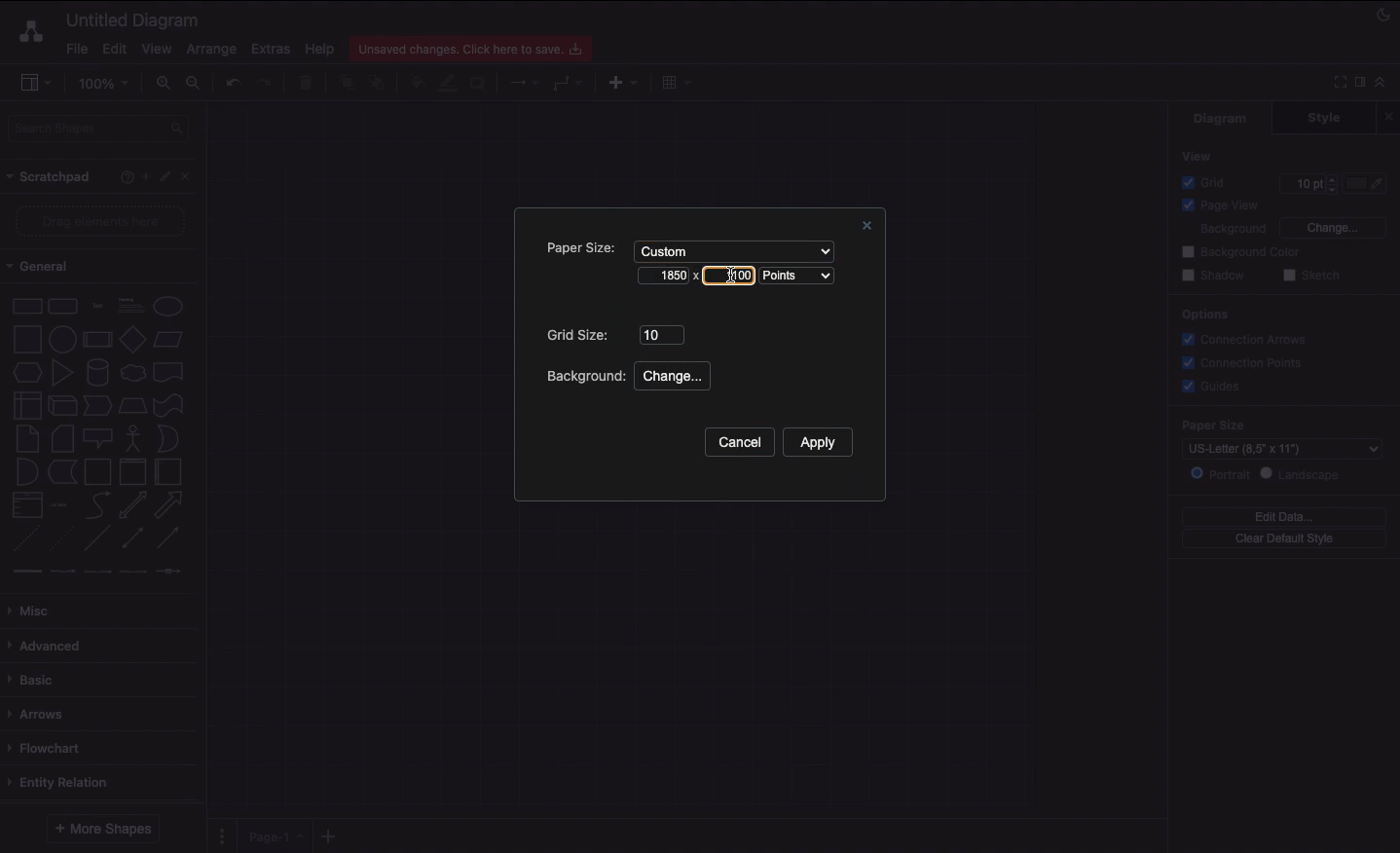 The image size is (1400, 853). What do you see at coordinates (1213, 275) in the screenshot?
I see `Shadow` at bounding box center [1213, 275].